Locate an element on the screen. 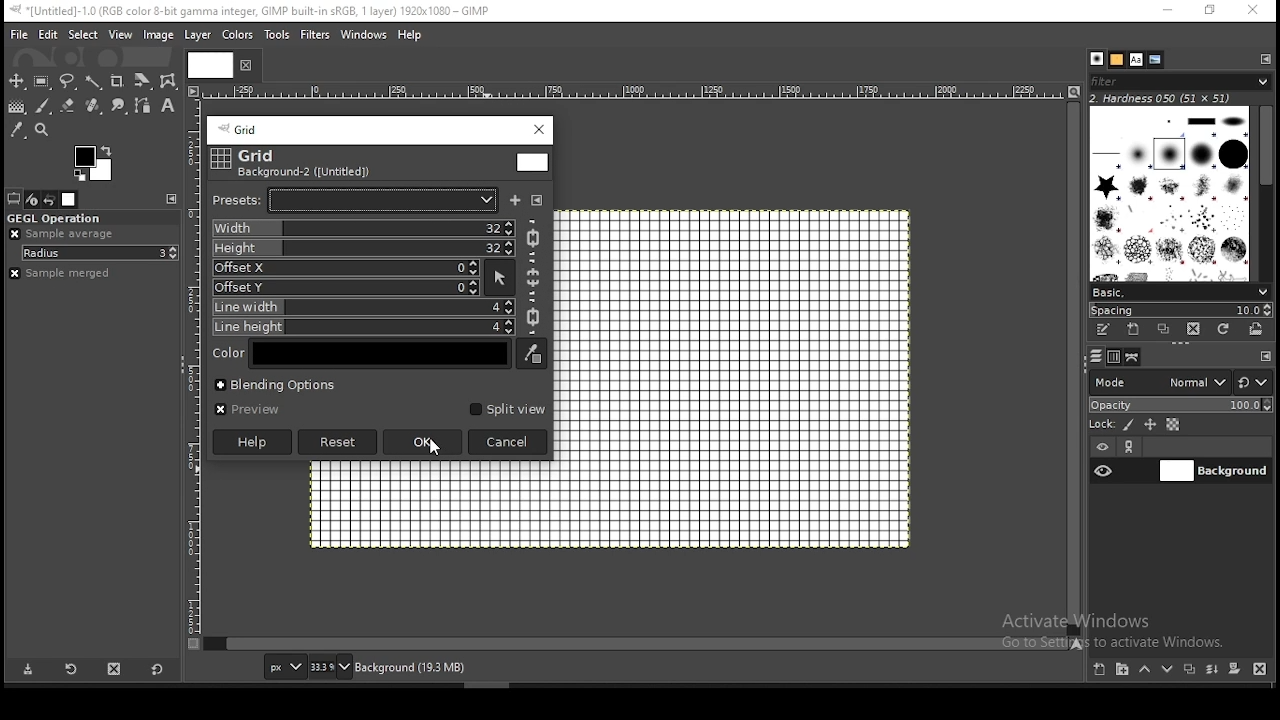  background (19.3mb) is located at coordinates (410, 666).